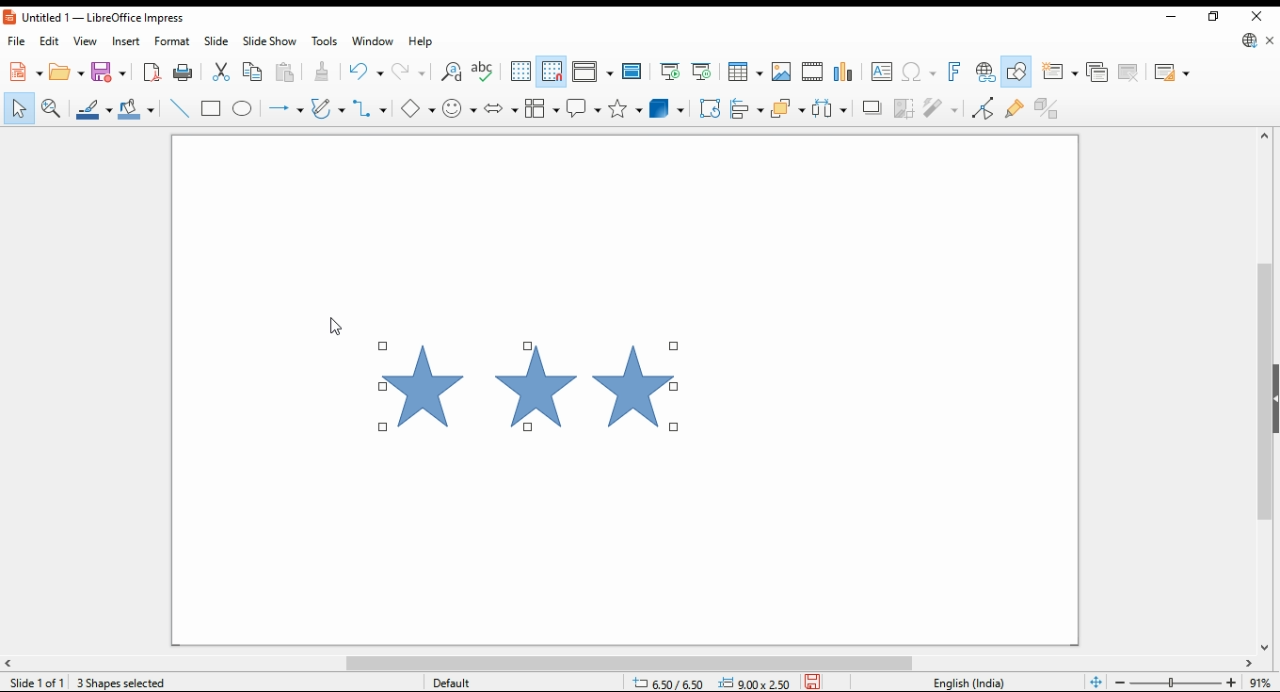 This screenshot has width=1280, height=692. I want to click on arrange, so click(789, 108).